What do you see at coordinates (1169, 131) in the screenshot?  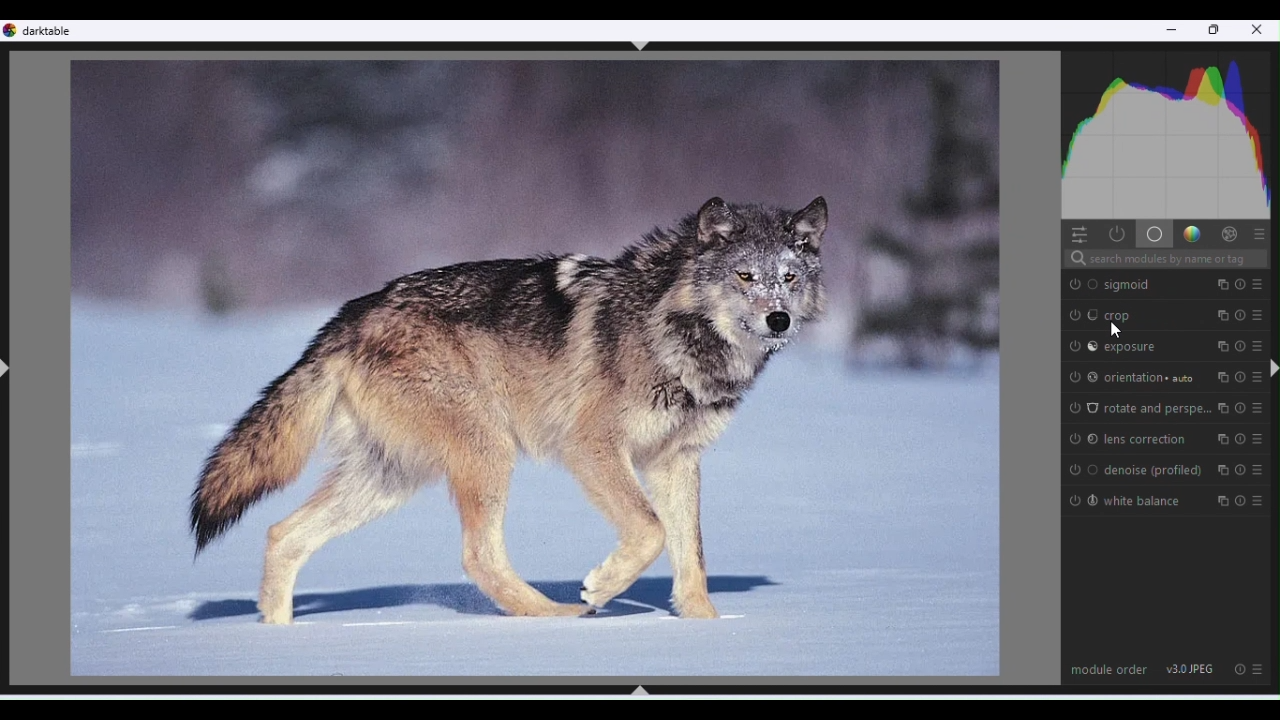 I see `Histogram` at bounding box center [1169, 131].